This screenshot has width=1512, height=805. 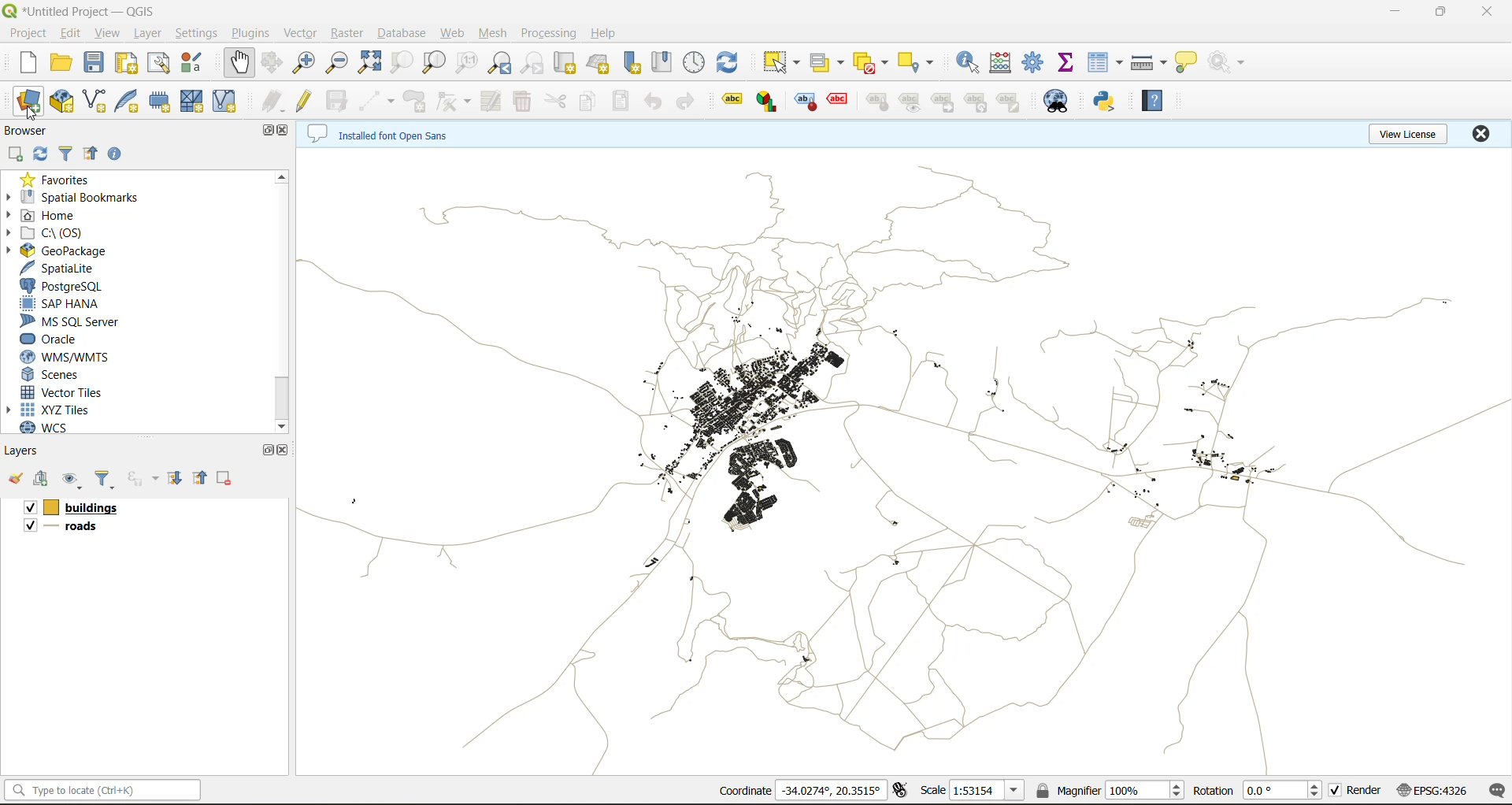 I want to click on maximize, so click(x=270, y=450).